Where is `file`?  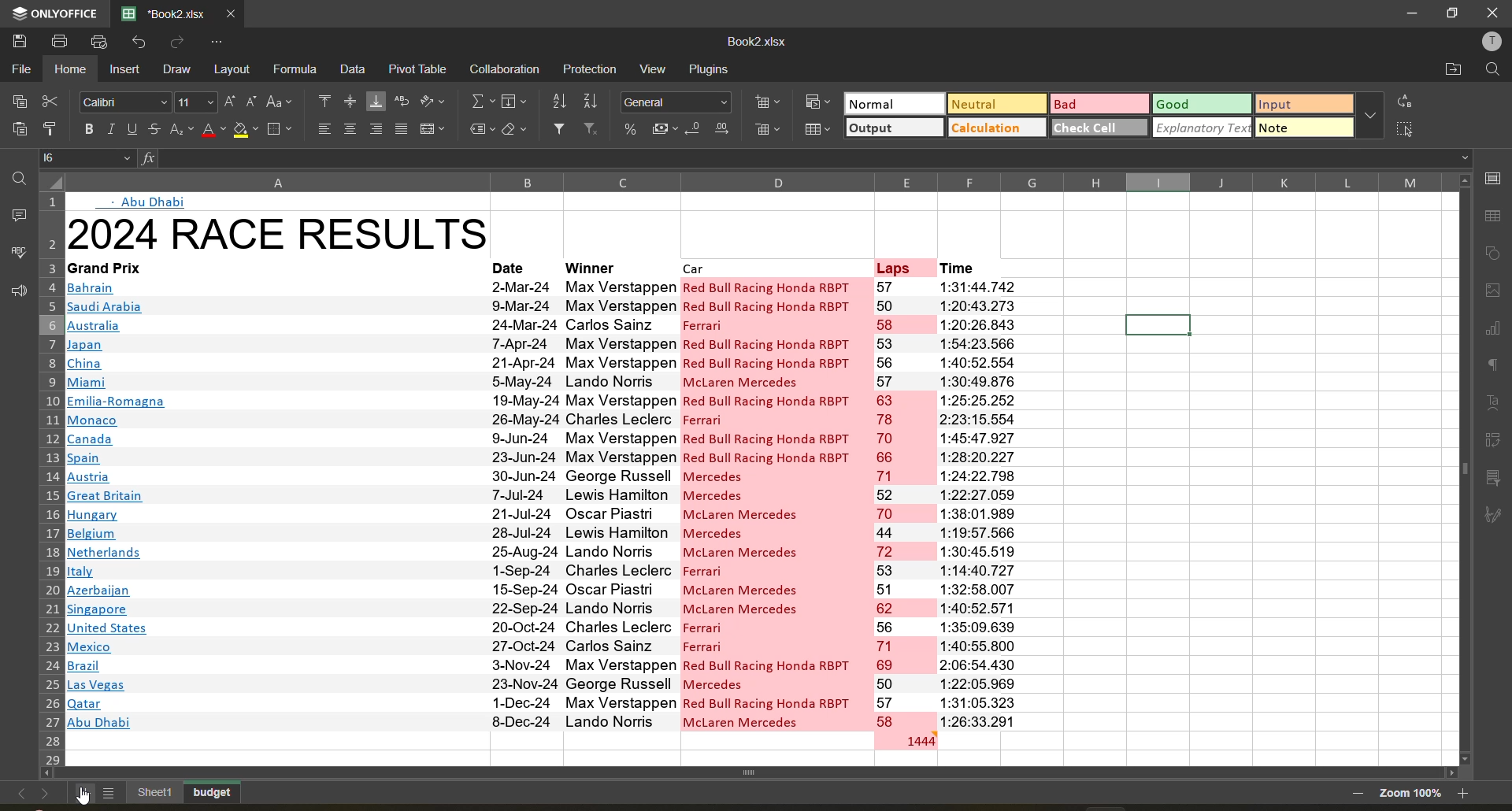 file is located at coordinates (19, 69).